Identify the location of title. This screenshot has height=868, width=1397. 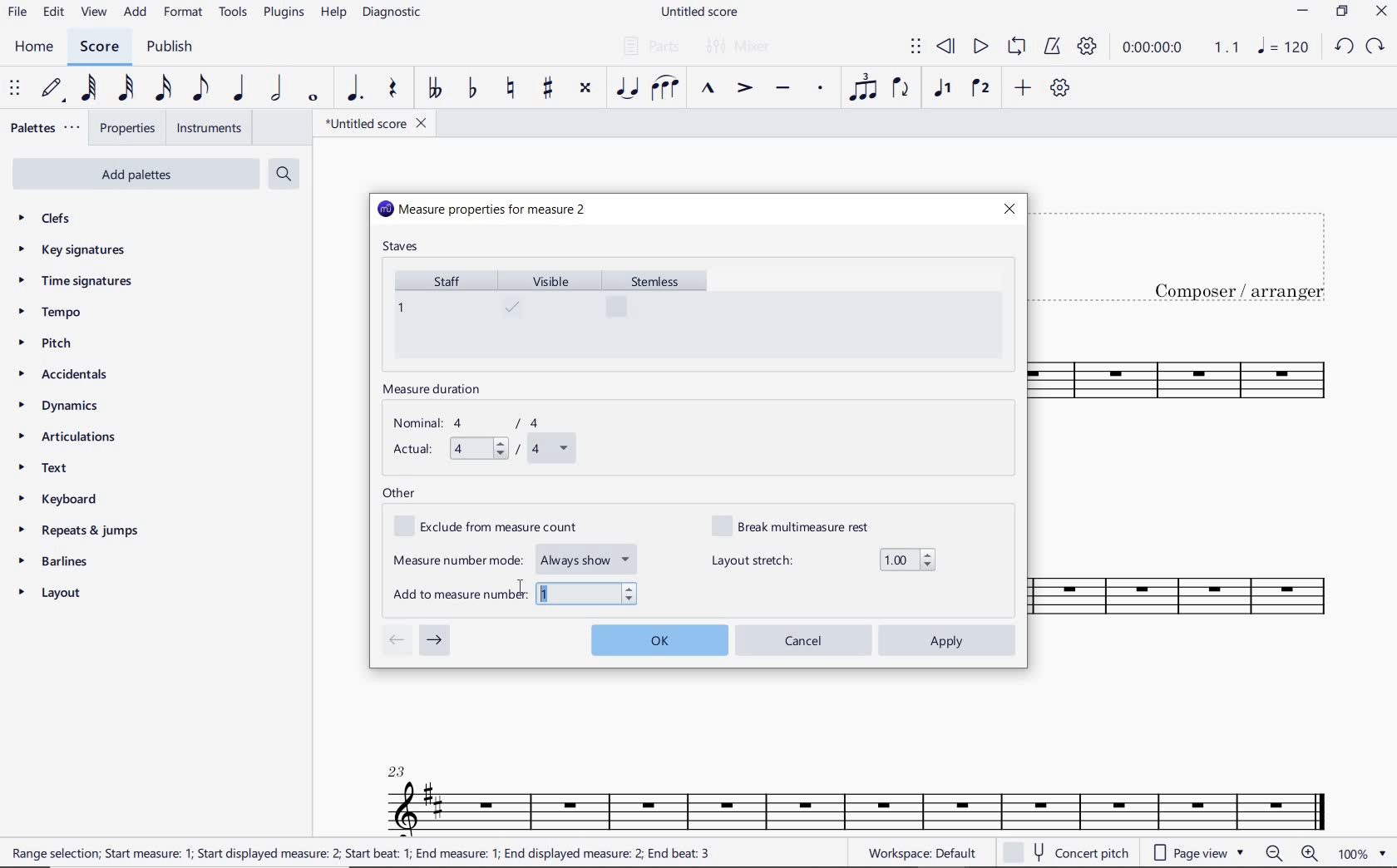
(1196, 253).